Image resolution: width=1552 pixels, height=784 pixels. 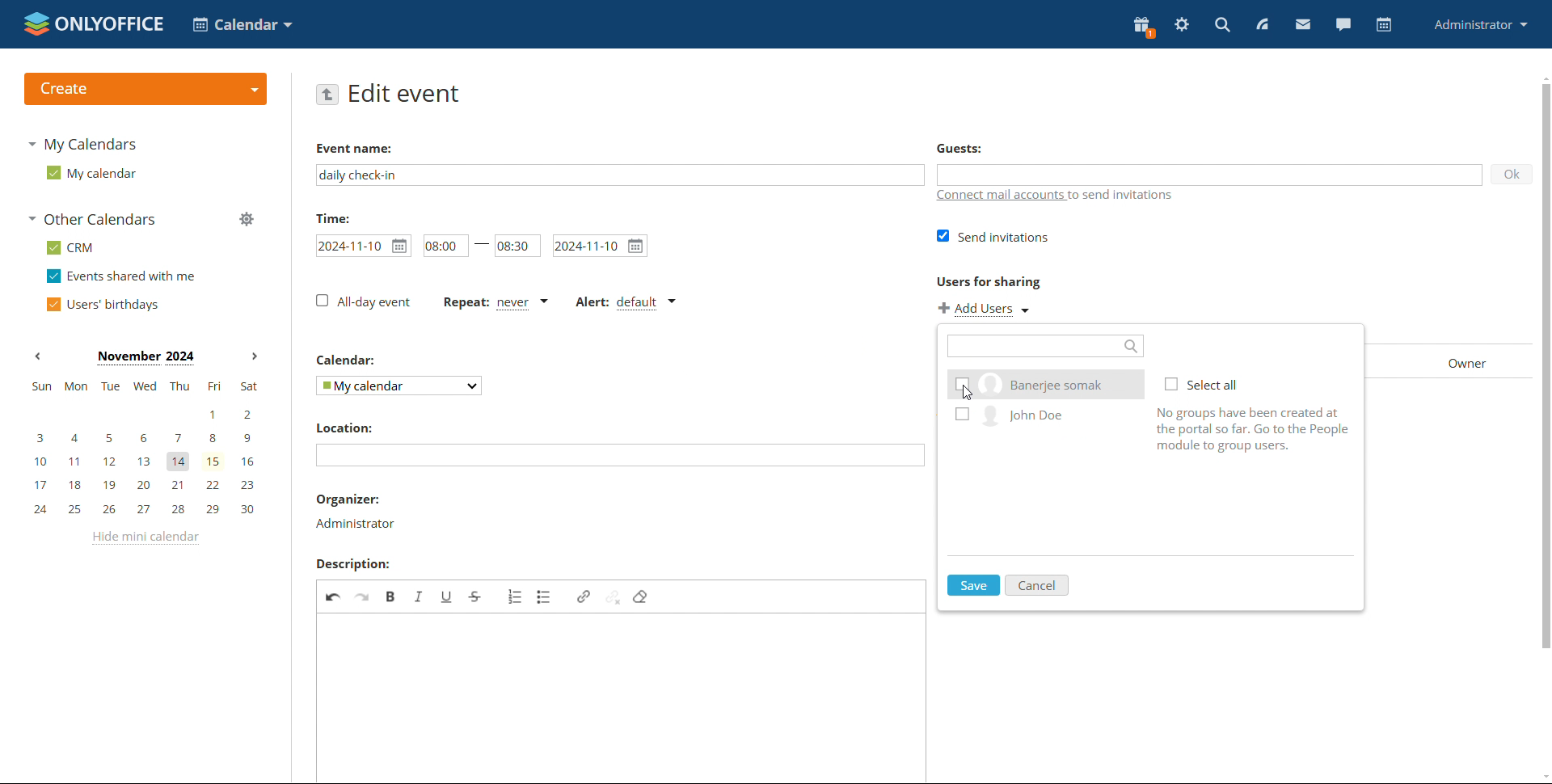 What do you see at coordinates (1542, 76) in the screenshot?
I see `scroll up` at bounding box center [1542, 76].